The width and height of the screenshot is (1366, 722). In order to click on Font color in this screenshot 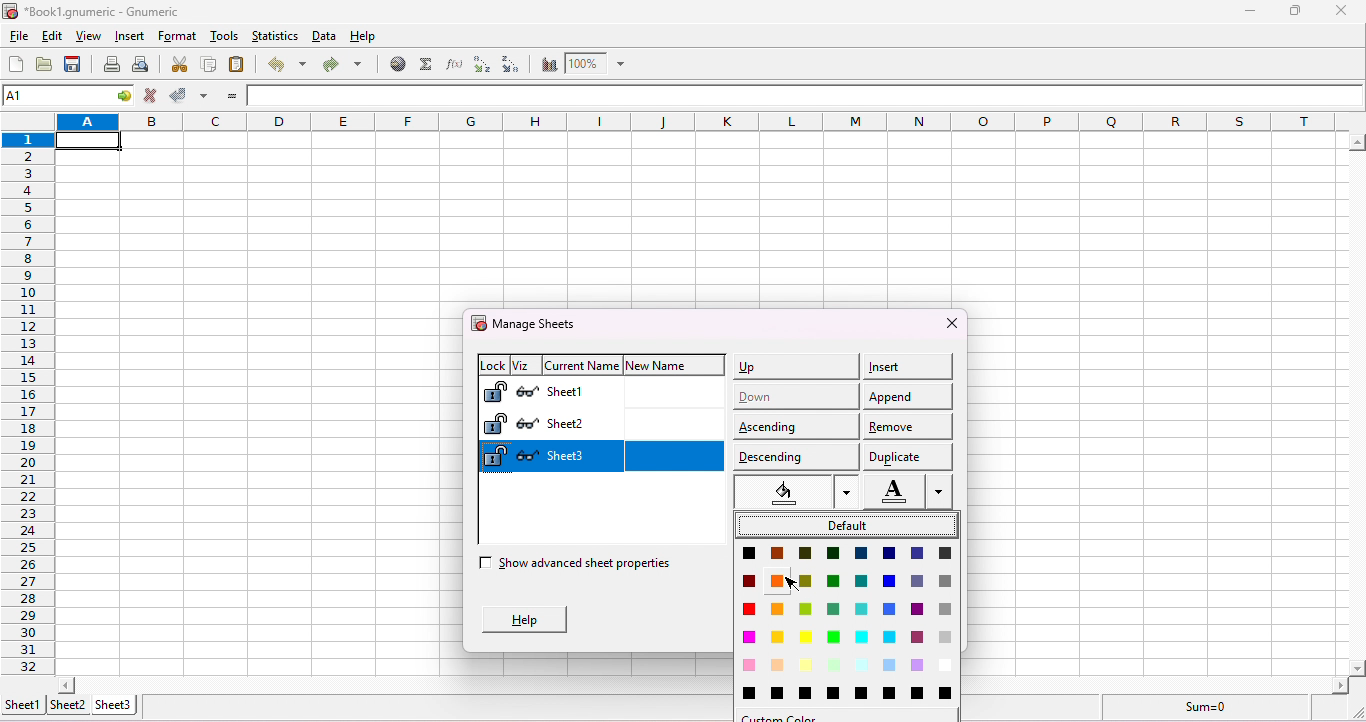, I will do `click(911, 491)`.